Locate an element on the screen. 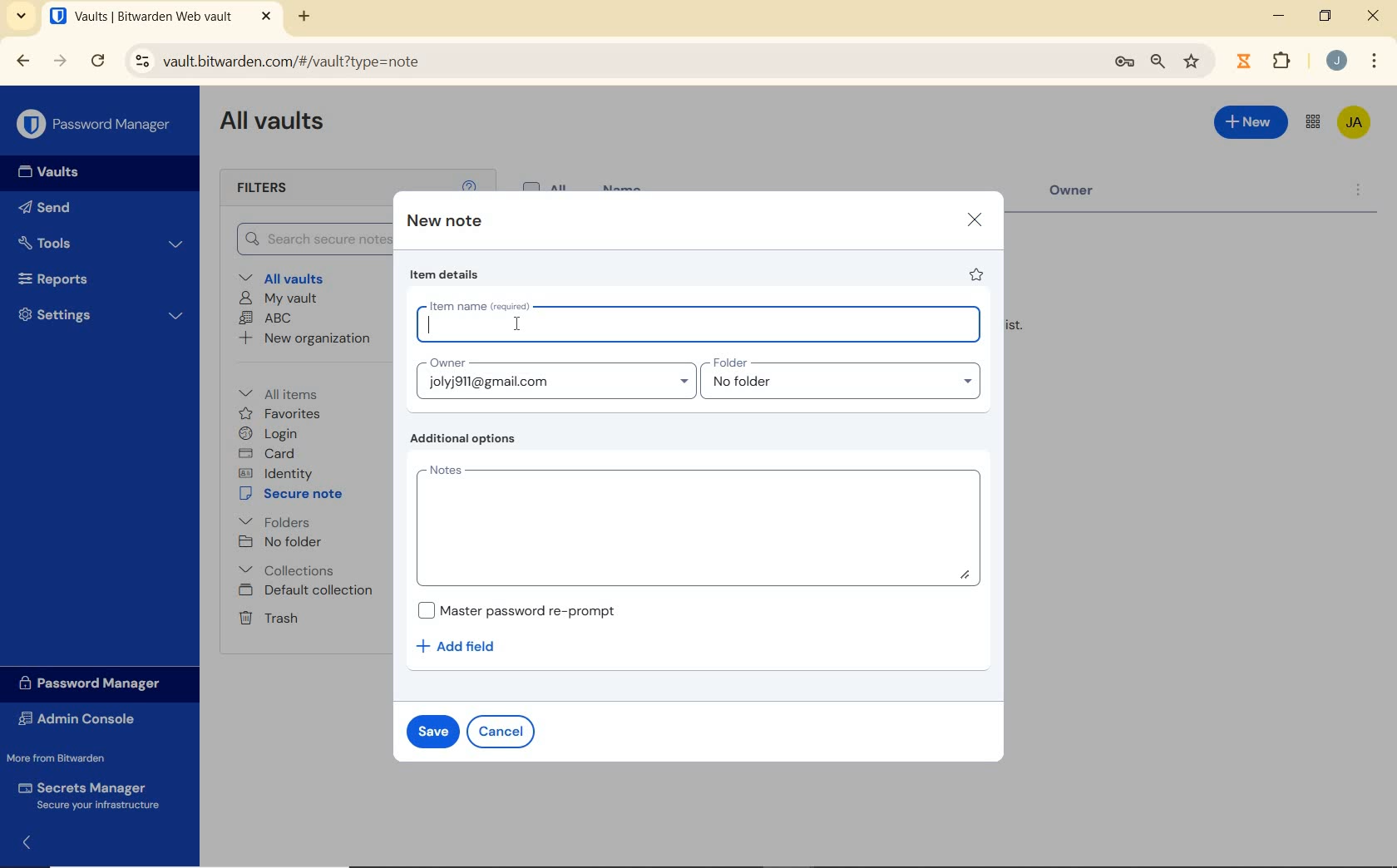 The width and height of the screenshot is (1397, 868). Tools is located at coordinates (102, 242).